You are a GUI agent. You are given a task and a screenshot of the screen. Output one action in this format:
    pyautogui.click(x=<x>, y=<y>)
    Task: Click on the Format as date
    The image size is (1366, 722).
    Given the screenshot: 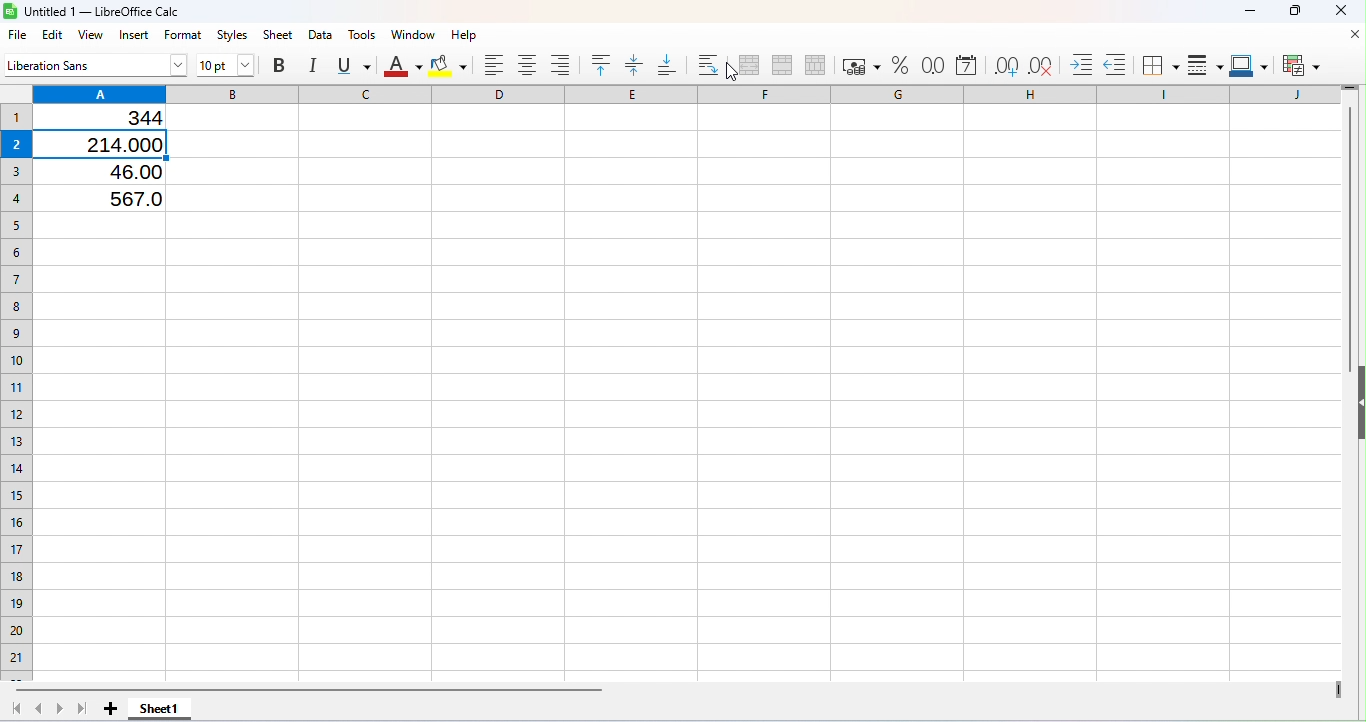 What is the action you would take?
    pyautogui.click(x=964, y=64)
    